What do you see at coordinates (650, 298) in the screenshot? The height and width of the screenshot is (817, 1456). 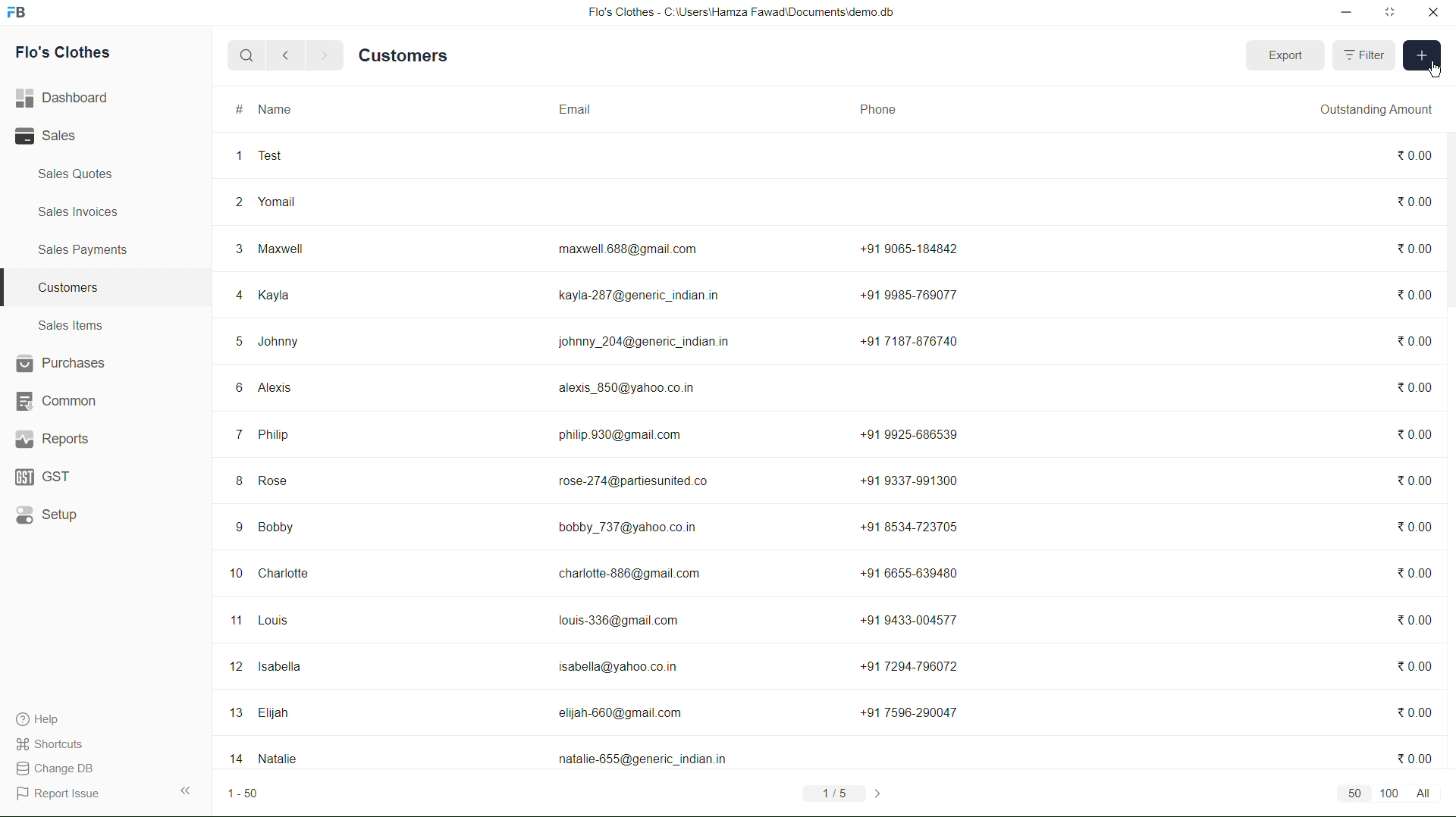 I see `kayla-287@generic_indian.in` at bounding box center [650, 298].